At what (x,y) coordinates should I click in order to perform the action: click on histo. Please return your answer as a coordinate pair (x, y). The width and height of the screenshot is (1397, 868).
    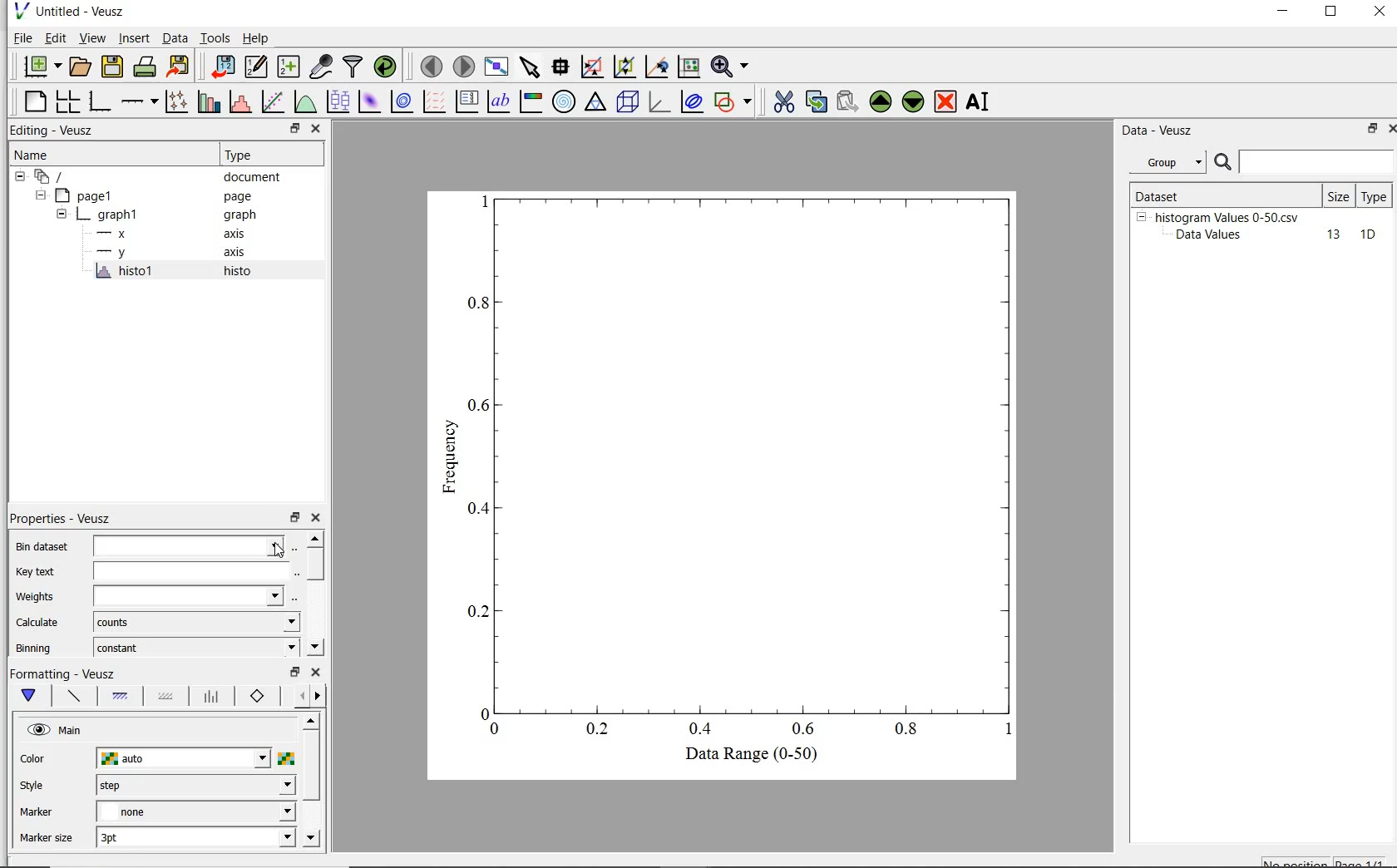
    Looking at the image, I should click on (239, 272).